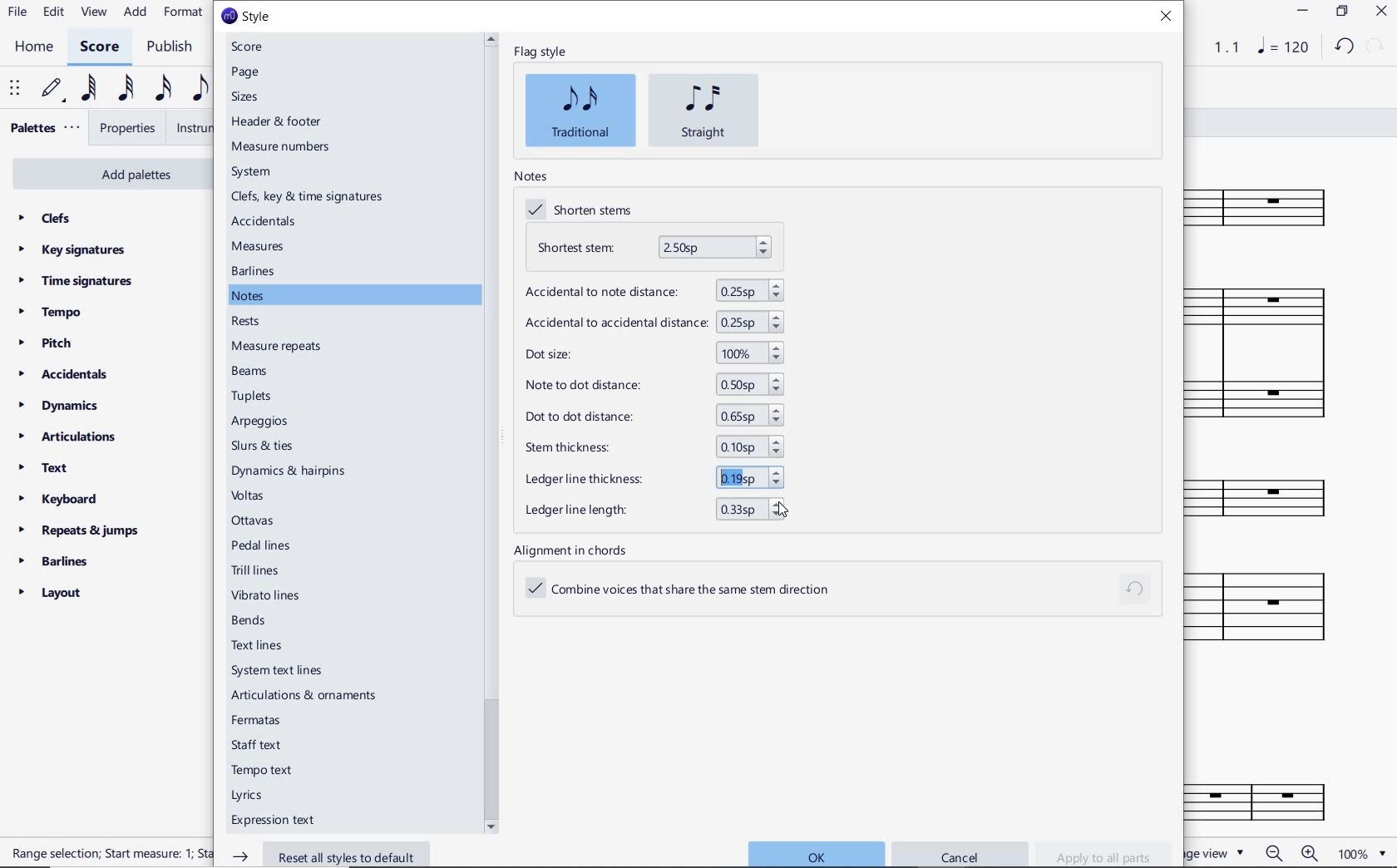  Describe the element at coordinates (51, 593) in the screenshot. I see `layout` at that location.